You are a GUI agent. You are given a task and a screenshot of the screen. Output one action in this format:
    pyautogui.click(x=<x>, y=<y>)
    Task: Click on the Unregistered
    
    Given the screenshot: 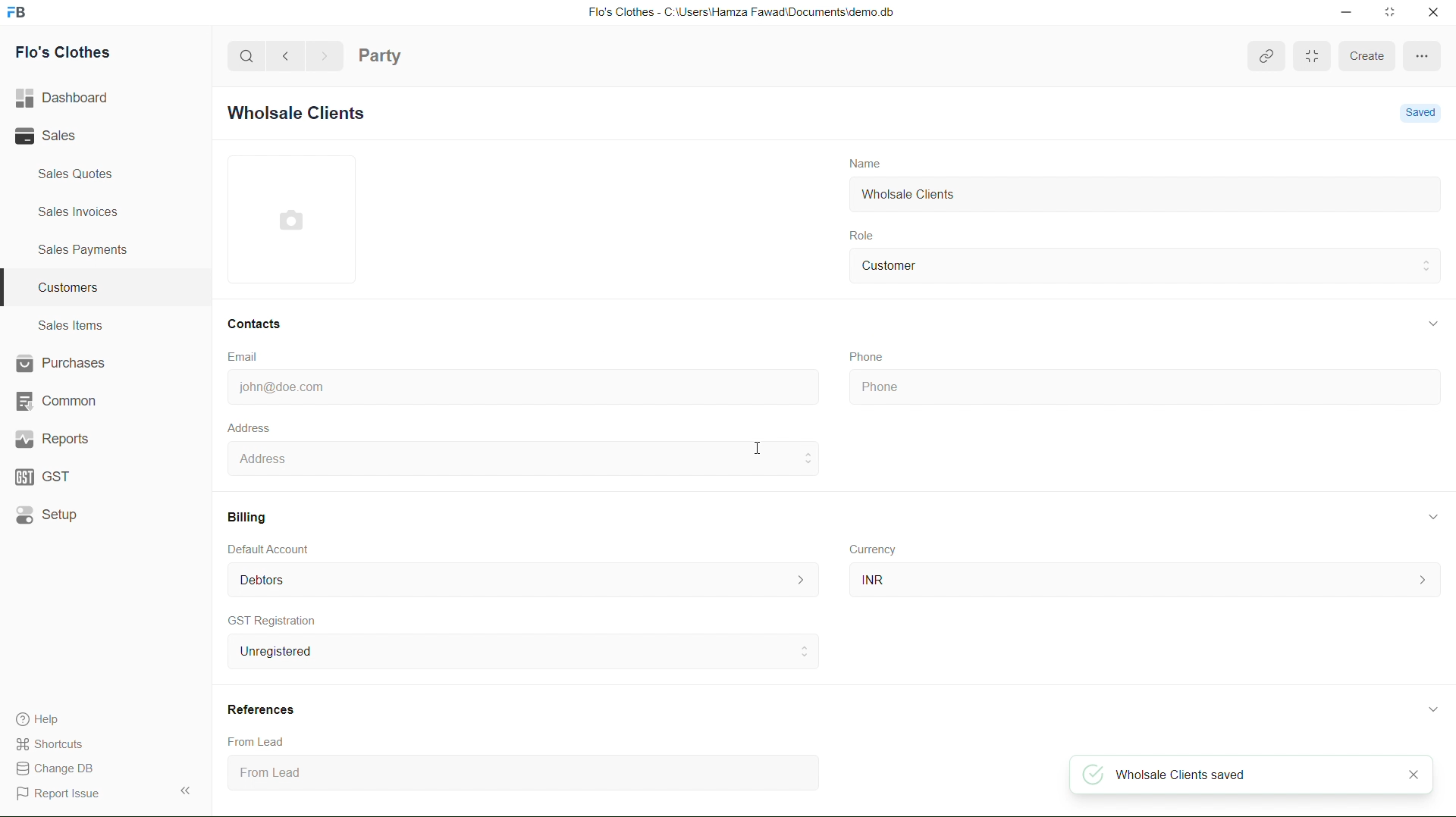 What is the action you would take?
    pyautogui.click(x=517, y=653)
    